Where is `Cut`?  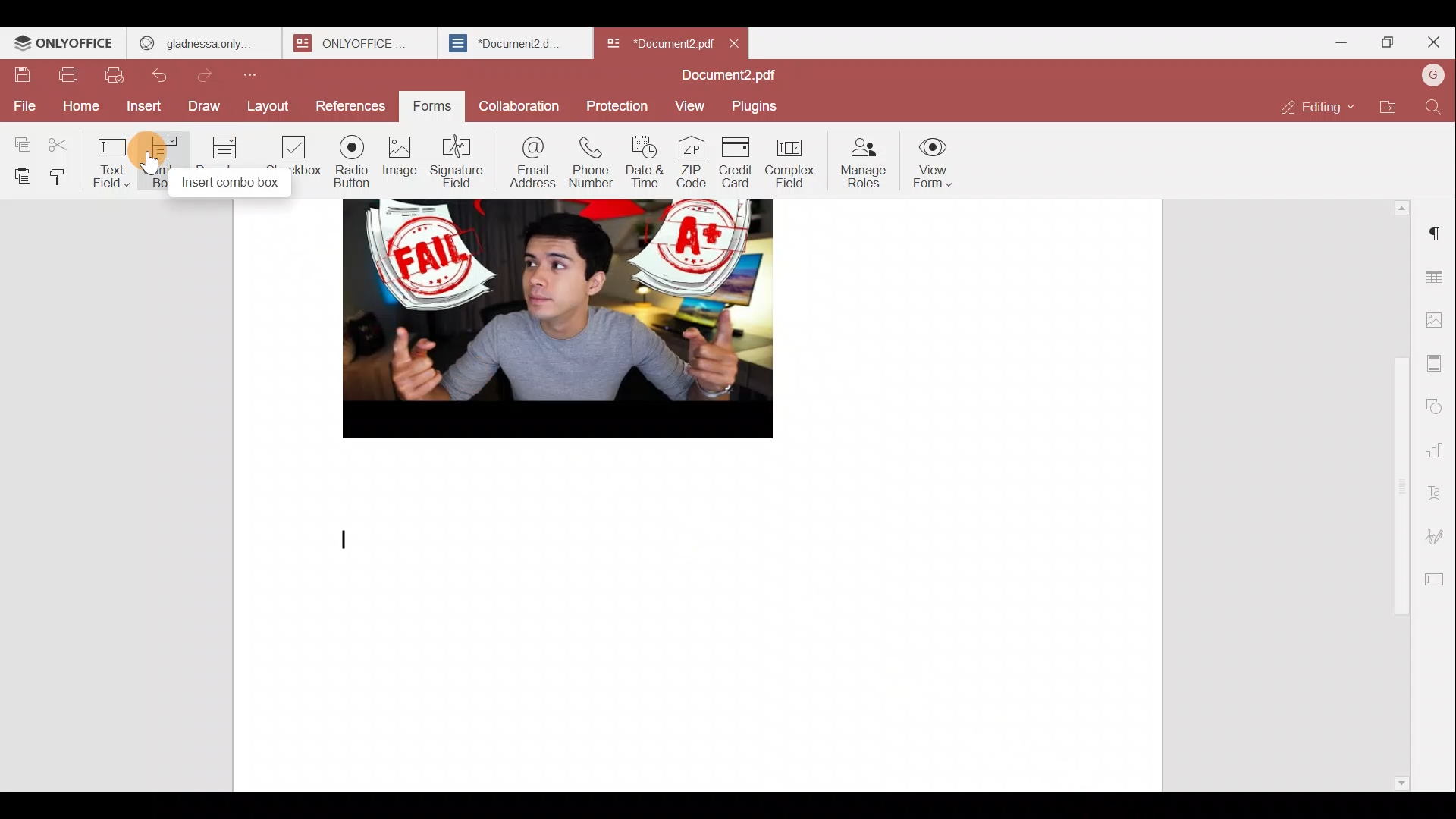 Cut is located at coordinates (70, 142).